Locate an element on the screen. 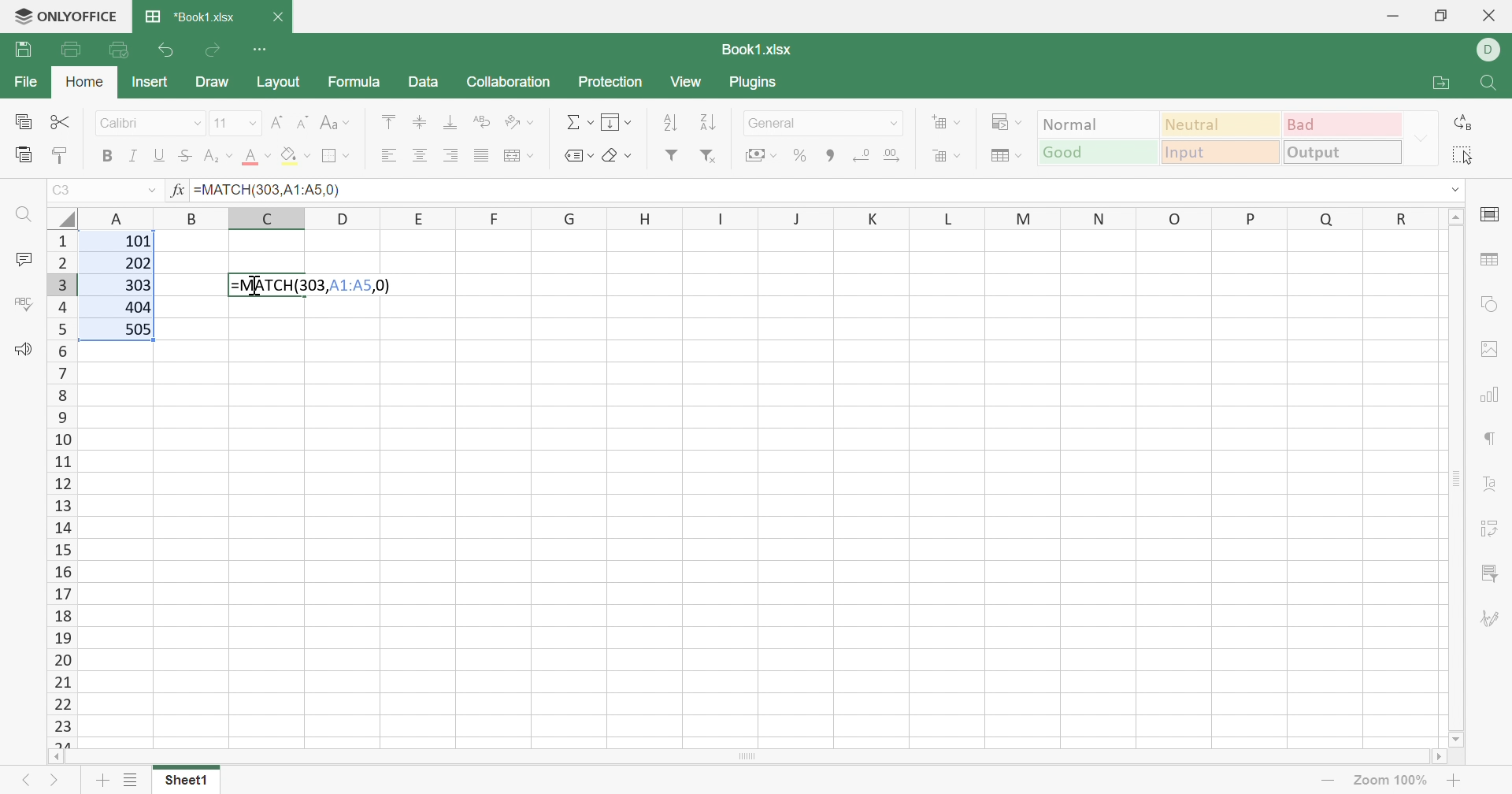 The width and height of the screenshot is (1512, 794). Align center is located at coordinates (424, 154).